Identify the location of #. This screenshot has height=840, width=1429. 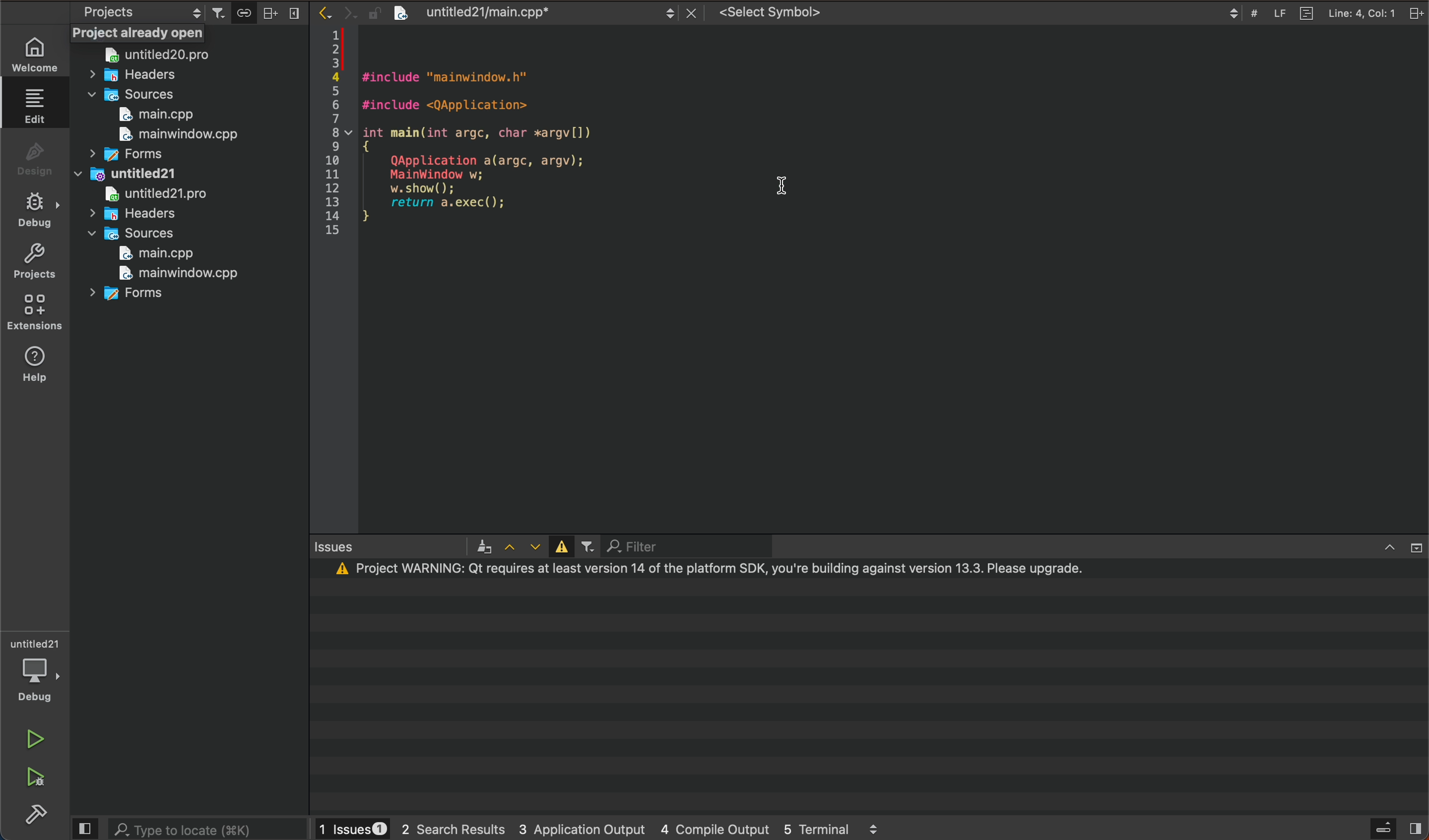
(1253, 10).